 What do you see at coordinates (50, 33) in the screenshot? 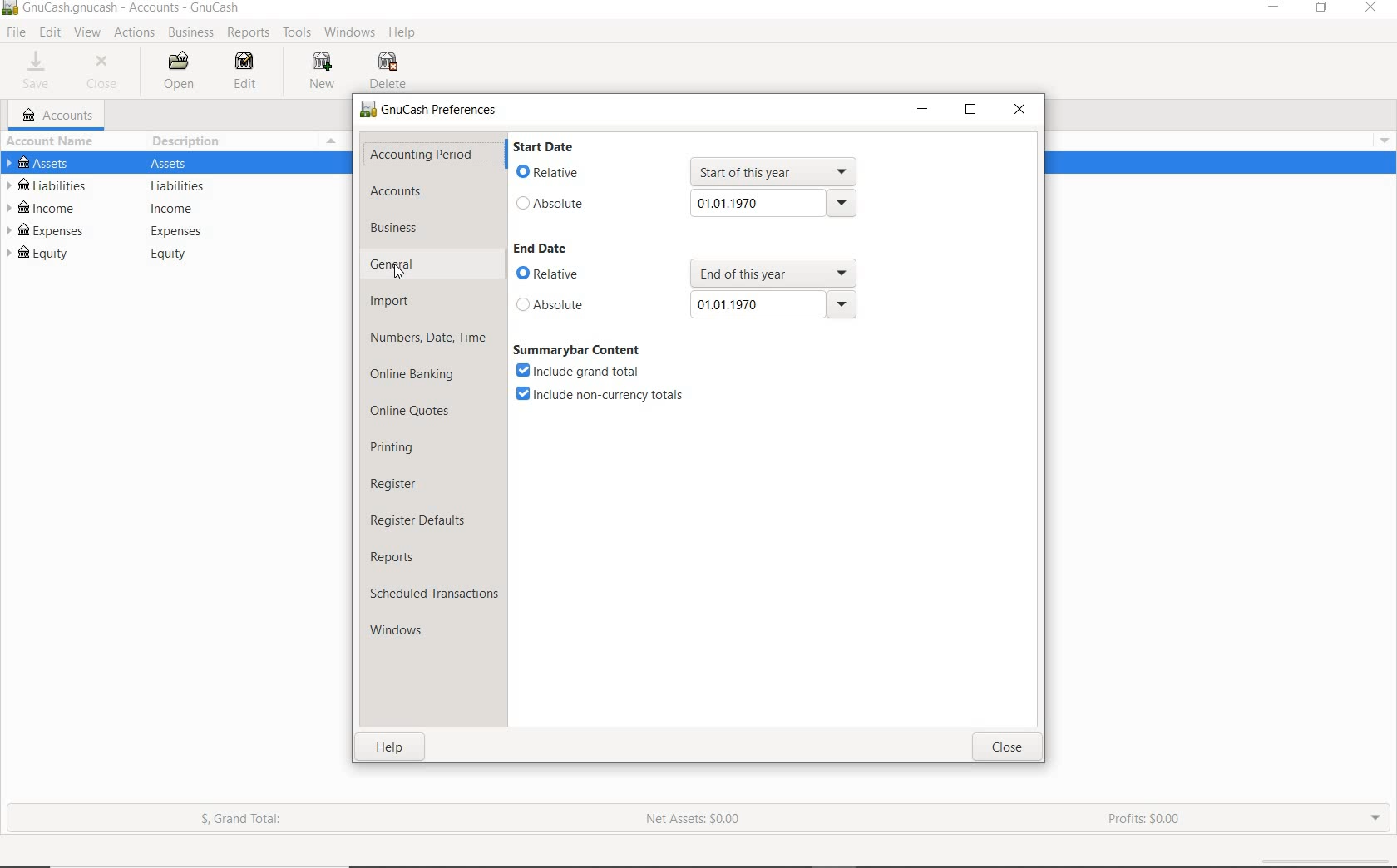
I see `EDIT` at bounding box center [50, 33].